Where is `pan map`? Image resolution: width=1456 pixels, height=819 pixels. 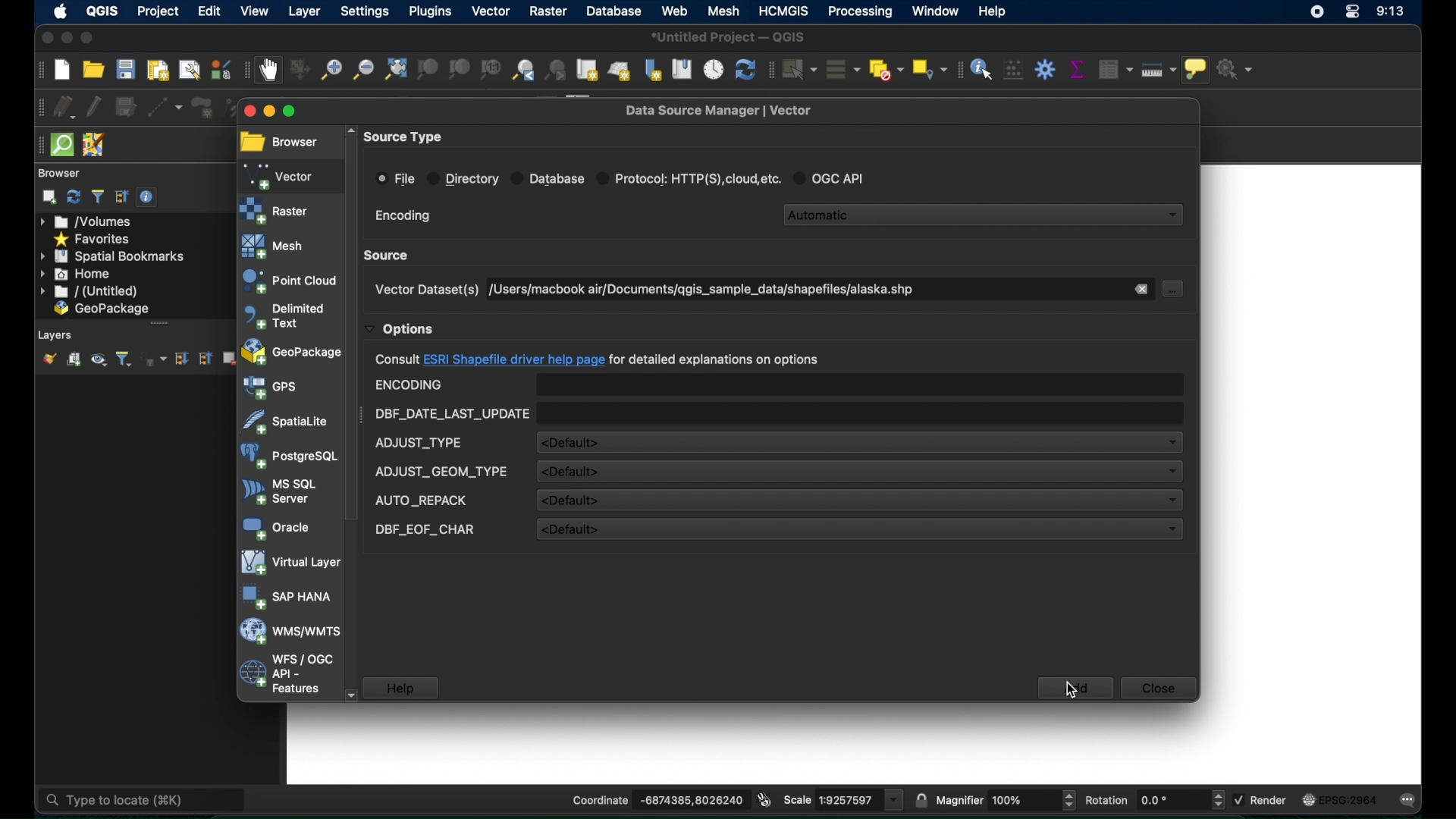
pan map is located at coordinates (270, 71).